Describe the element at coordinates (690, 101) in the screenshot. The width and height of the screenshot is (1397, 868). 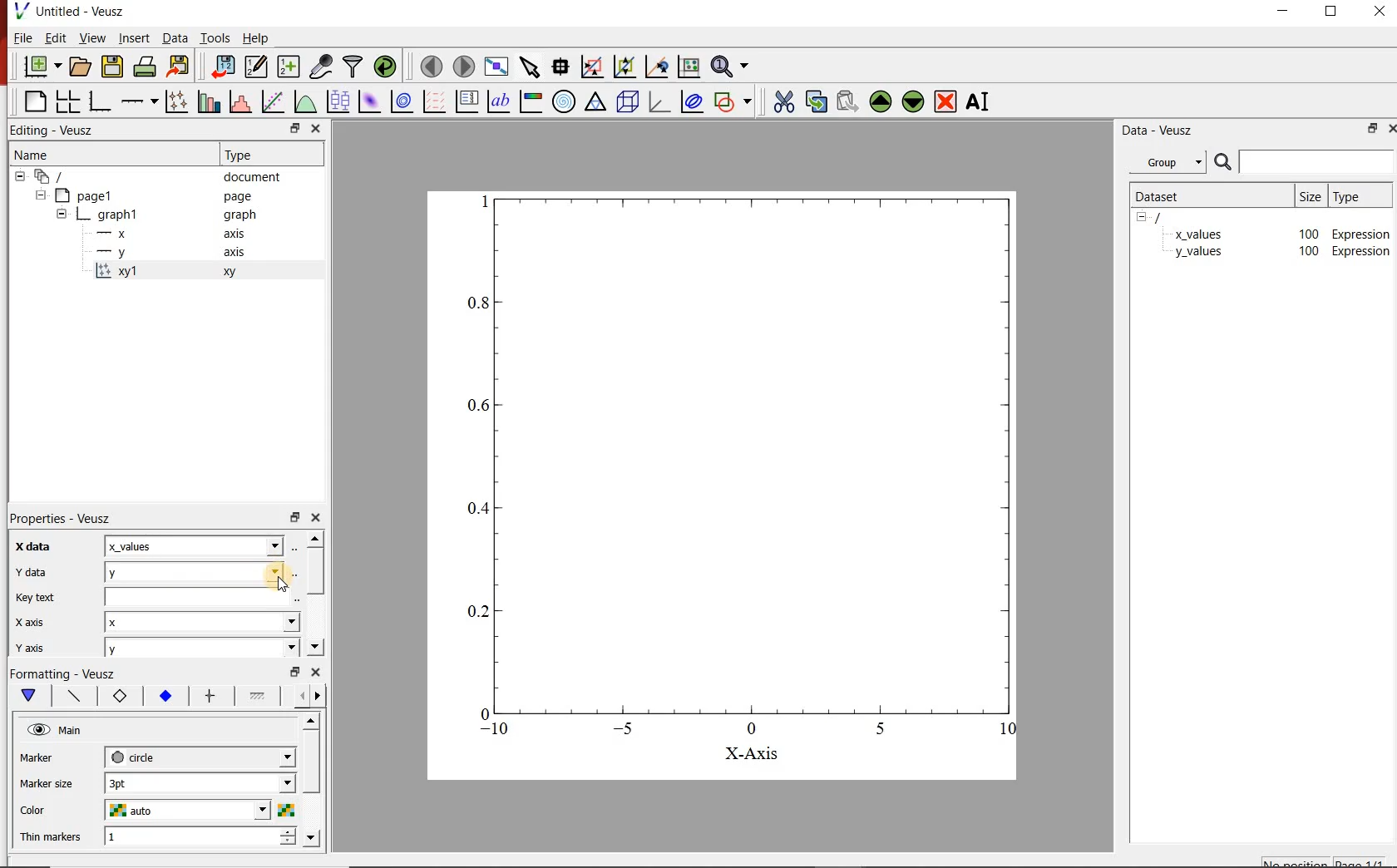
I see `plot covariance ellipse` at that location.